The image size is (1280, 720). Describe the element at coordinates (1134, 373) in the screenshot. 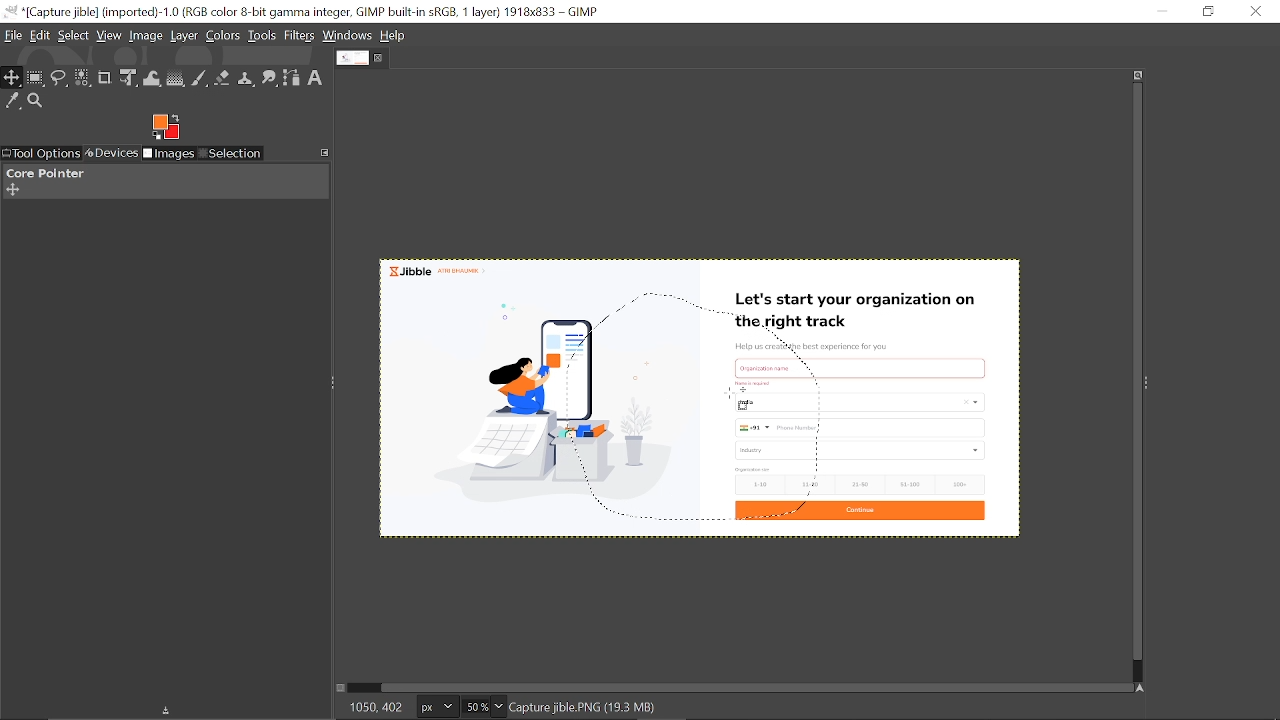

I see `Vertical scrollbar` at that location.